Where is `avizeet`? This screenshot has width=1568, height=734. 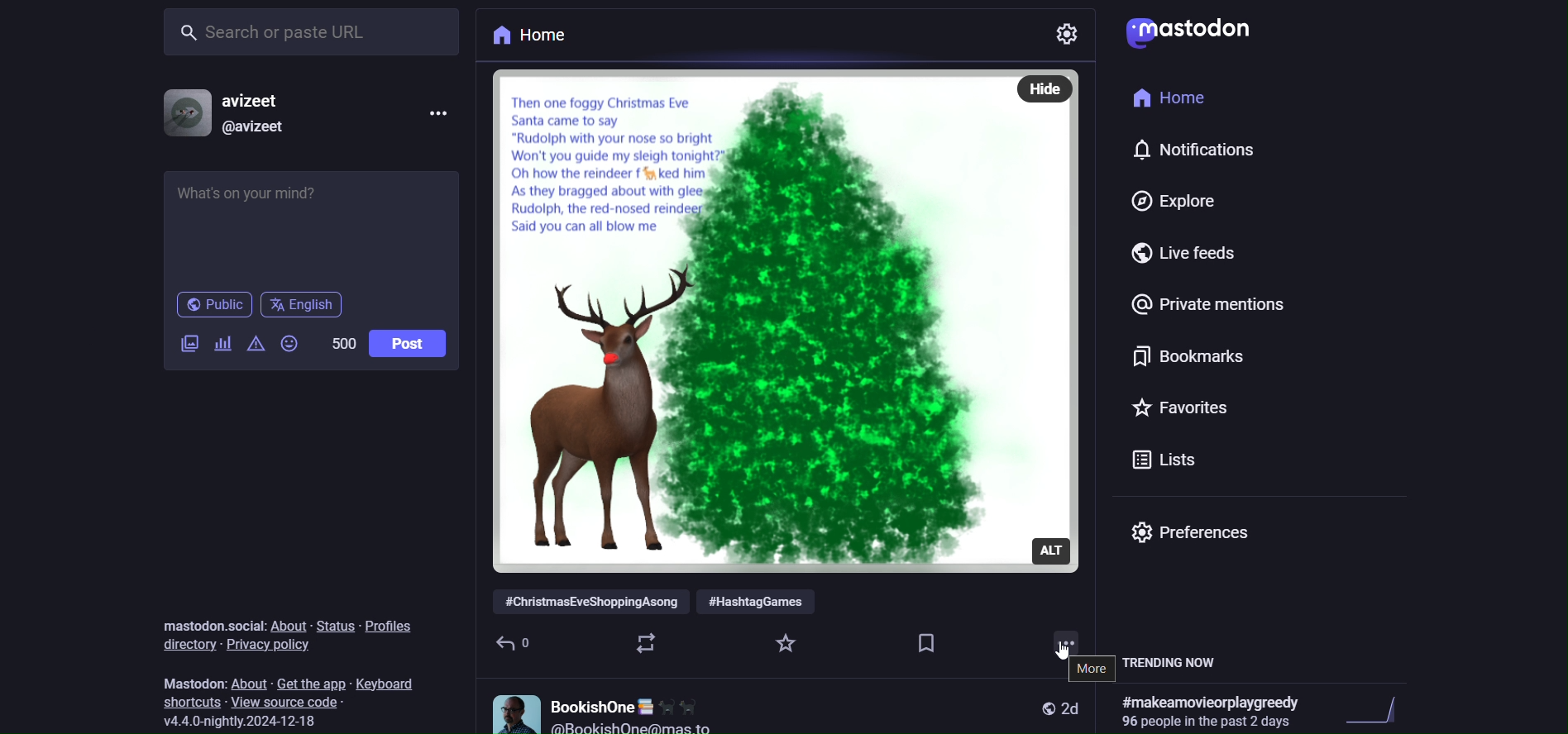 avizeet is located at coordinates (256, 99).